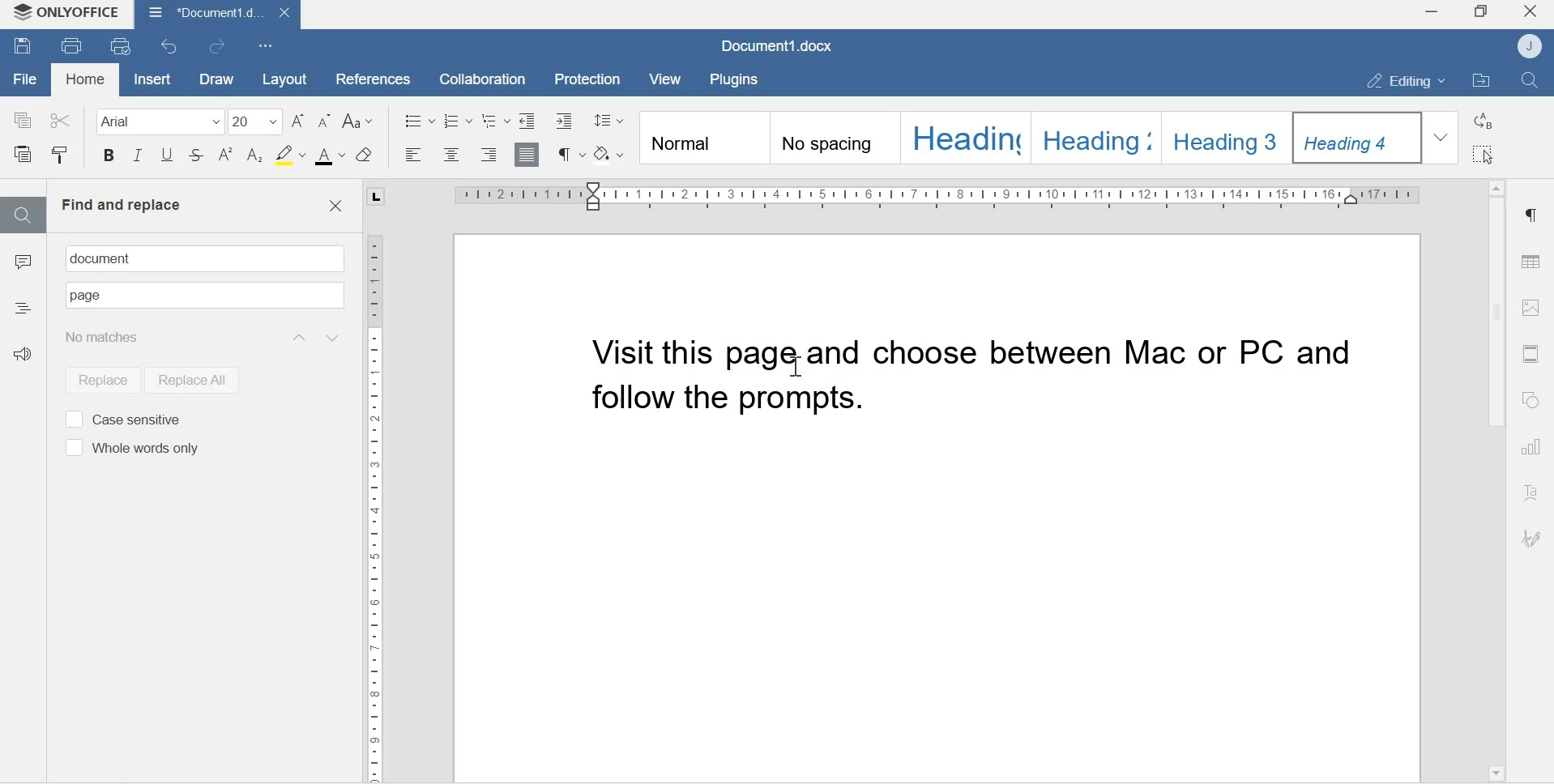  What do you see at coordinates (570, 154) in the screenshot?
I see `Non printing characters` at bounding box center [570, 154].